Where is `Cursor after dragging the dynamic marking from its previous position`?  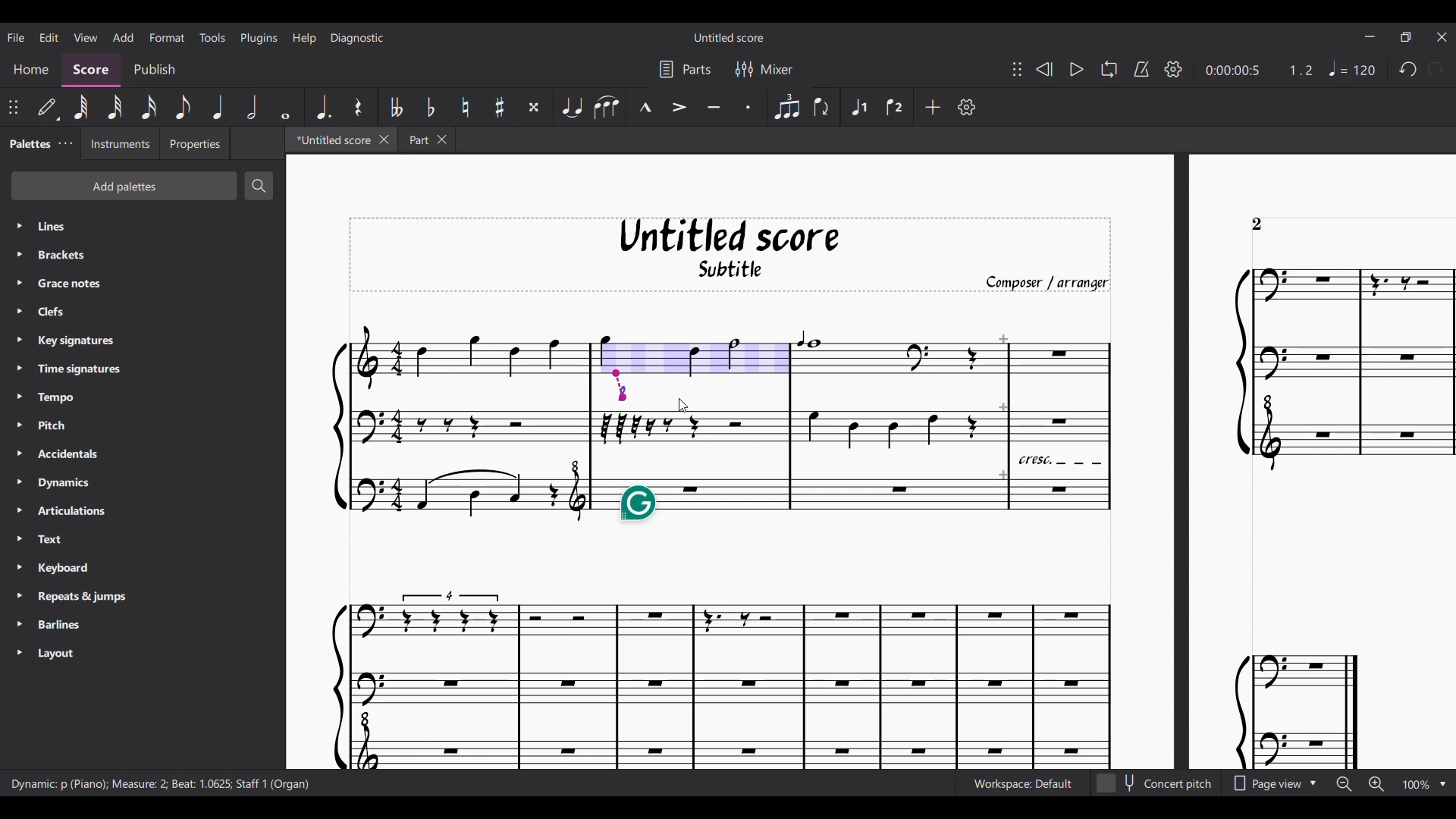
Cursor after dragging the dynamic marking from its previous position is located at coordinates (683, 406).